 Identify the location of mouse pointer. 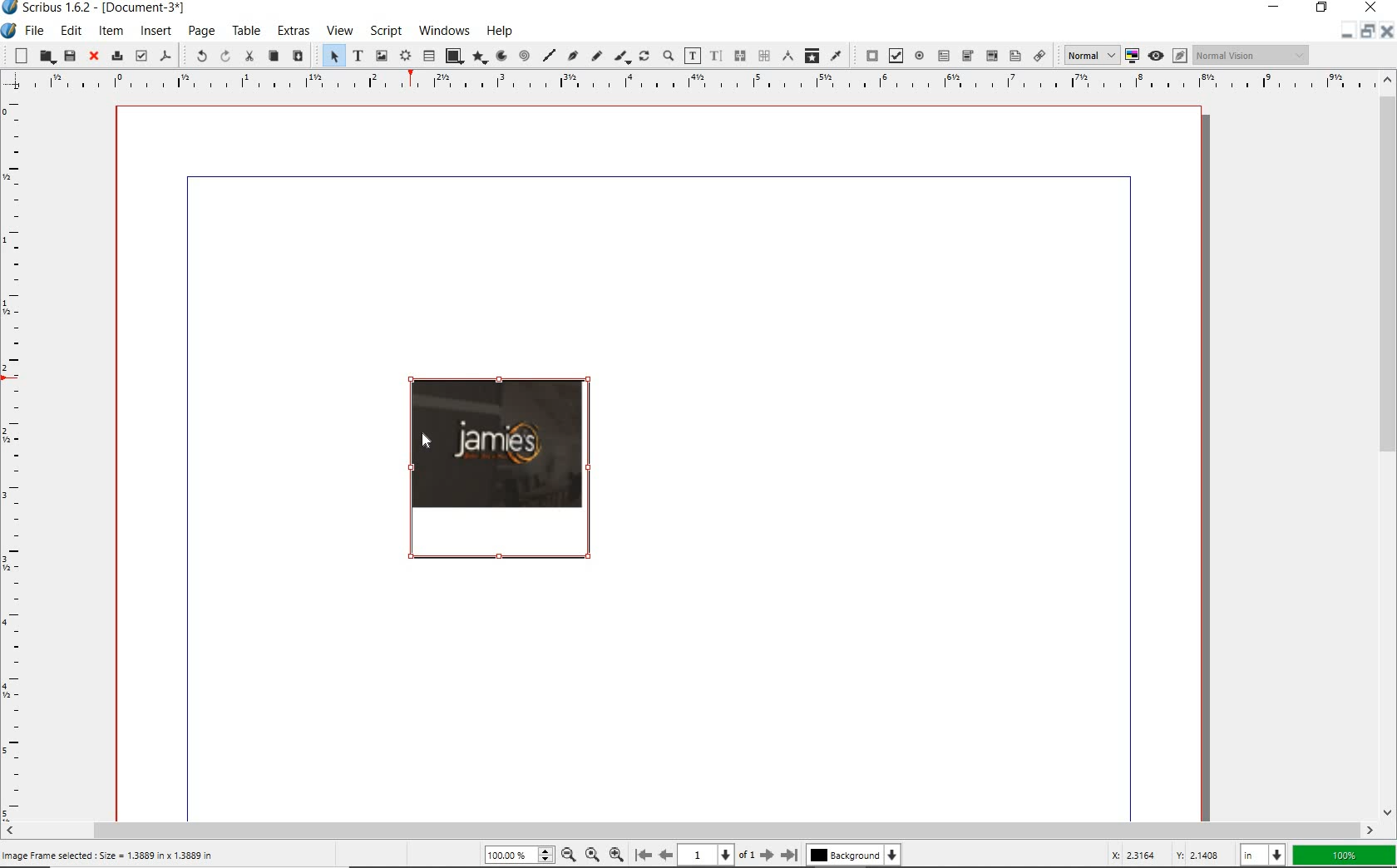
(423, 436).